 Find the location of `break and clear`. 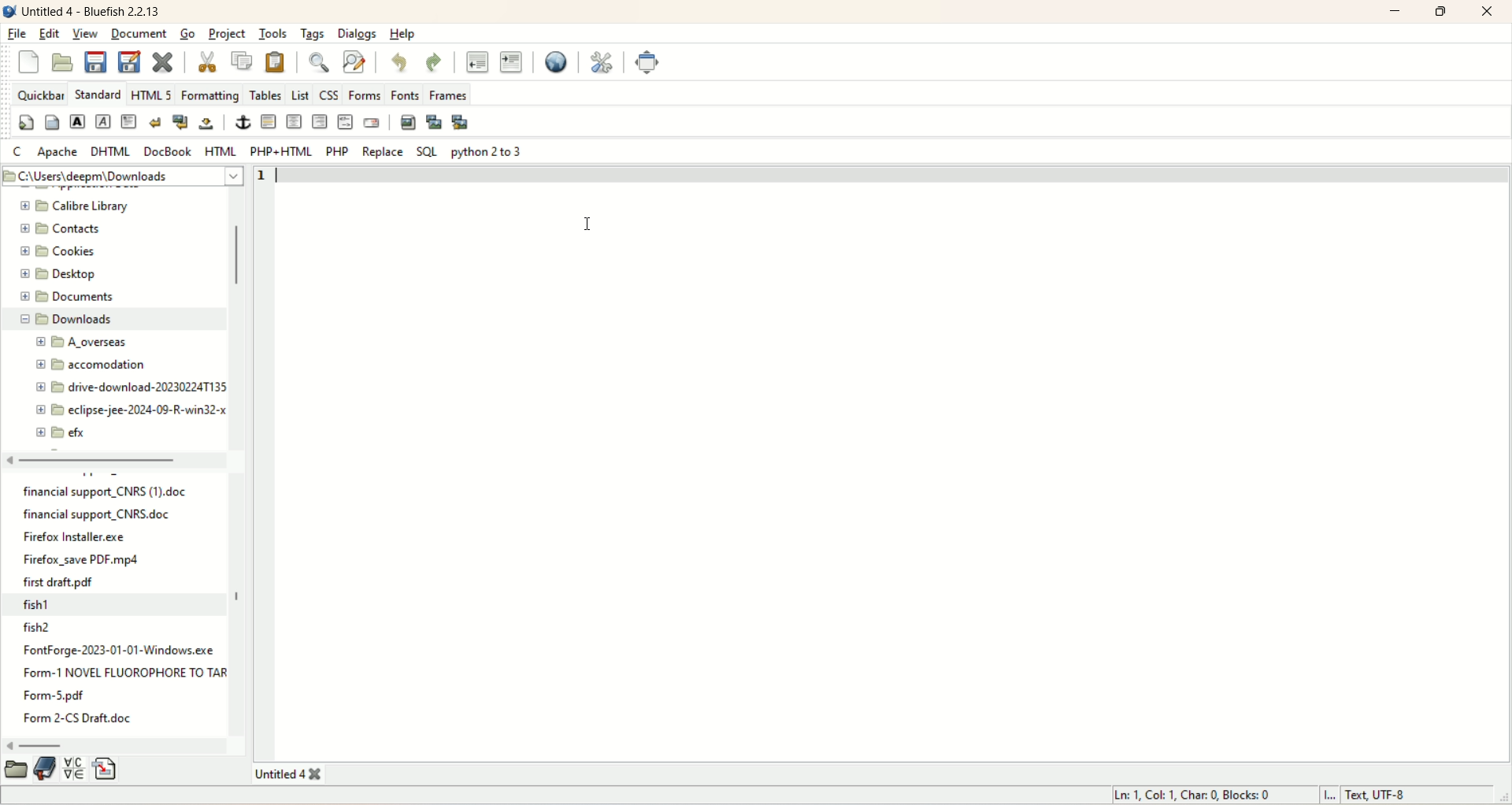

break and clear is located at coordinates (179, 123).